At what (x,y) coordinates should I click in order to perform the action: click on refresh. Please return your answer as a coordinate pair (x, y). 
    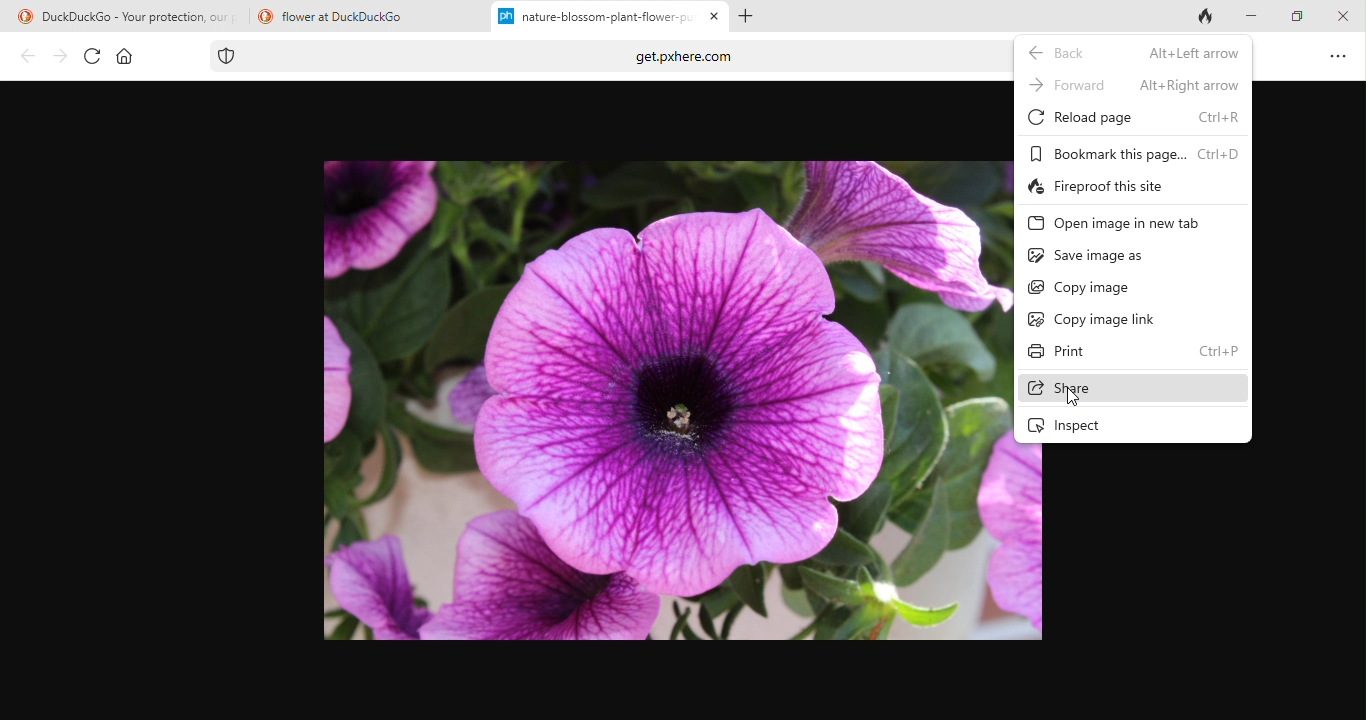
    Looking at the image, I should click on (89, 56).